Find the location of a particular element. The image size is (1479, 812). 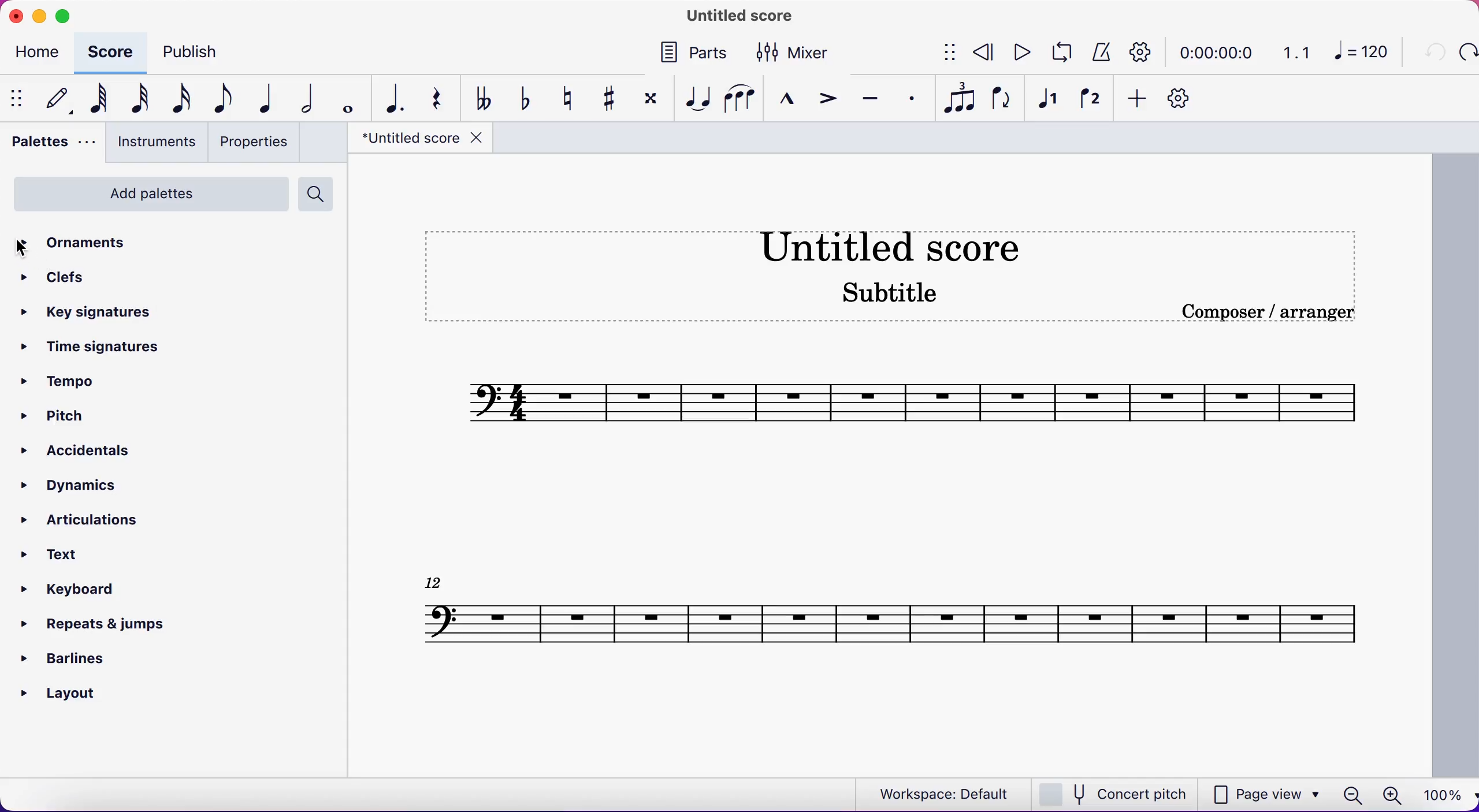

16th note is located at coordinates (179, 100).